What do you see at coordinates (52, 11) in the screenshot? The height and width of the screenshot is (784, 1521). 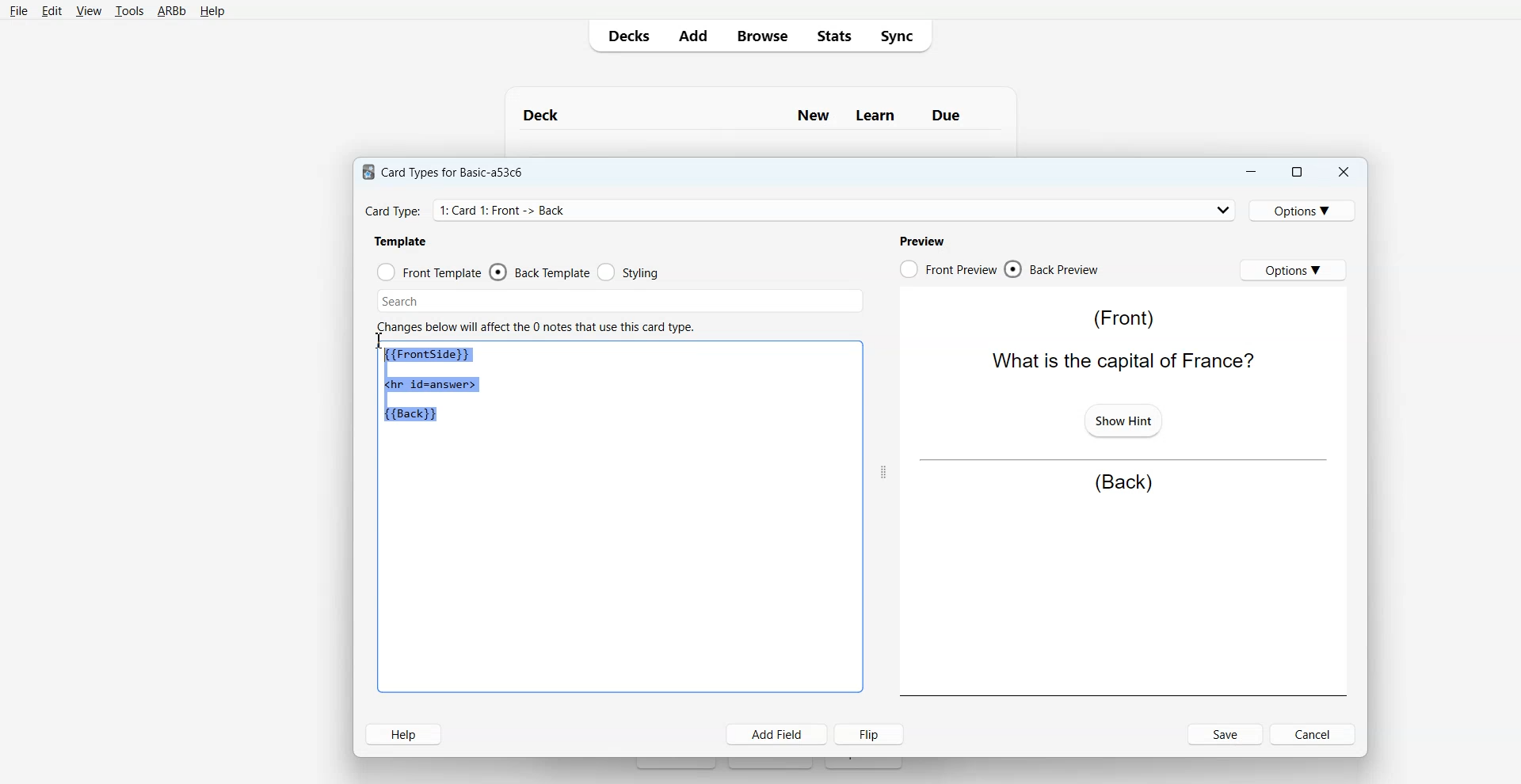 I see `Edit` at bounding box center [52, 11].